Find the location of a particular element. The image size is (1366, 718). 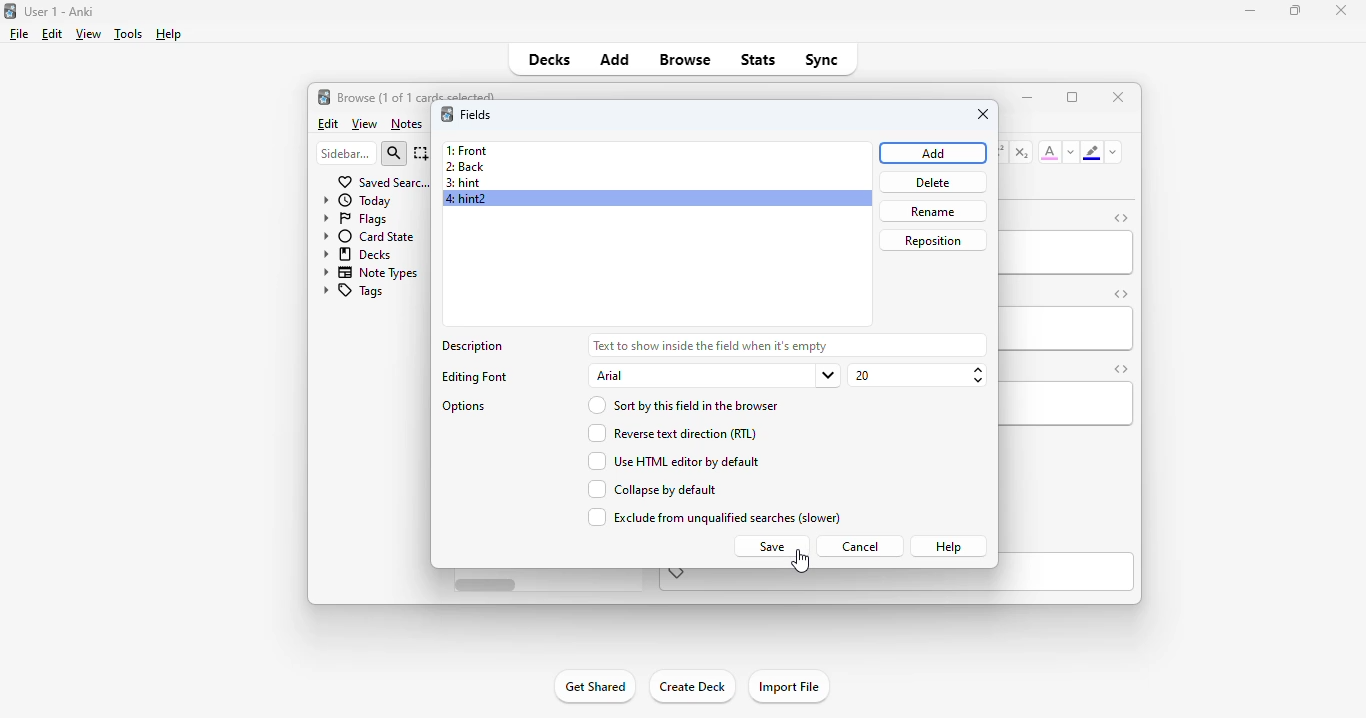

search is located at coordinates (394, 154).